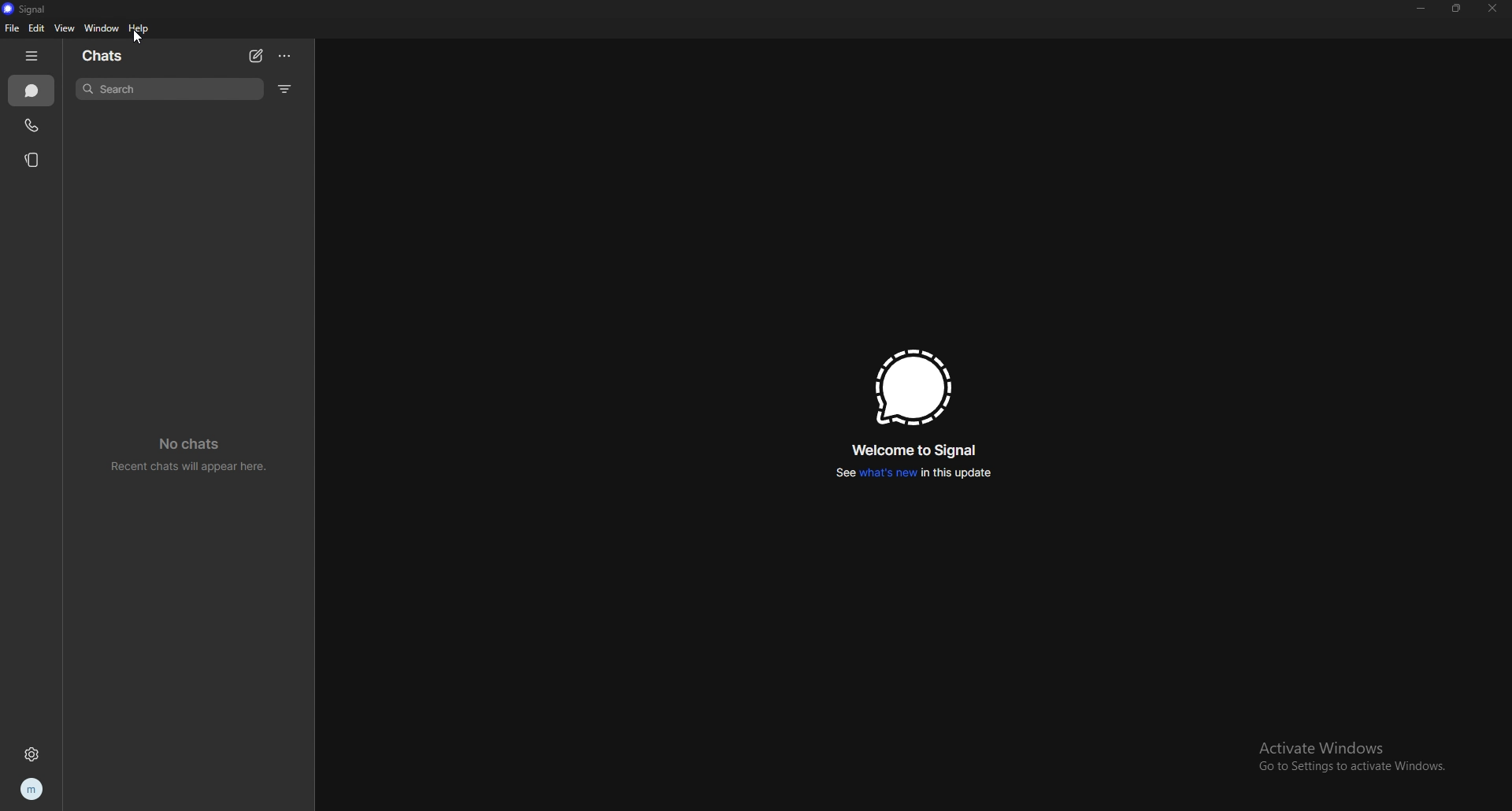  What do you see at coordinates (102, 57) in the screenshot?
I see `chats` at bounding box center [102, 57].